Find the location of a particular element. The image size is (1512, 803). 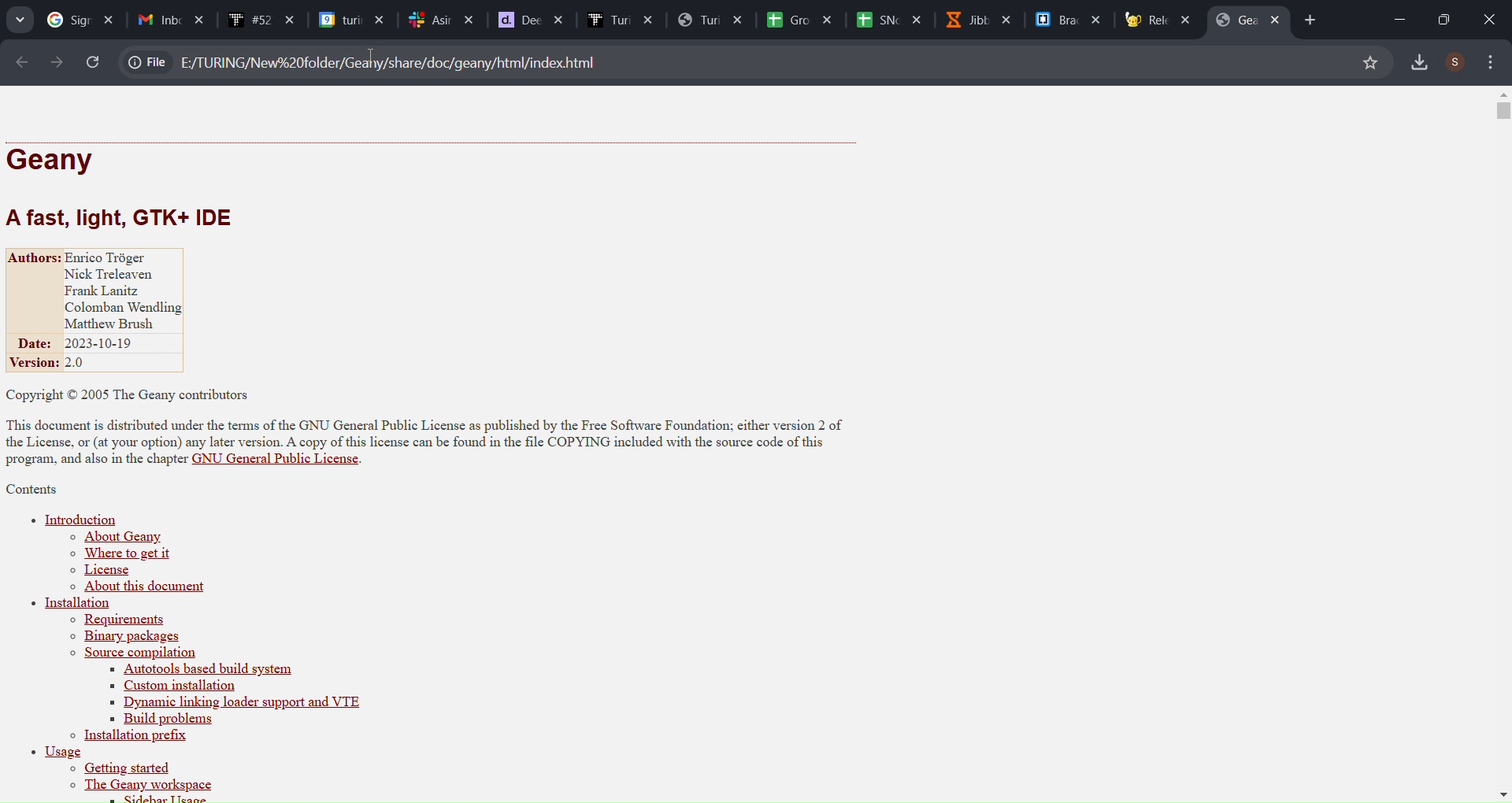

scroll up is located at coordinates (1499, 94).